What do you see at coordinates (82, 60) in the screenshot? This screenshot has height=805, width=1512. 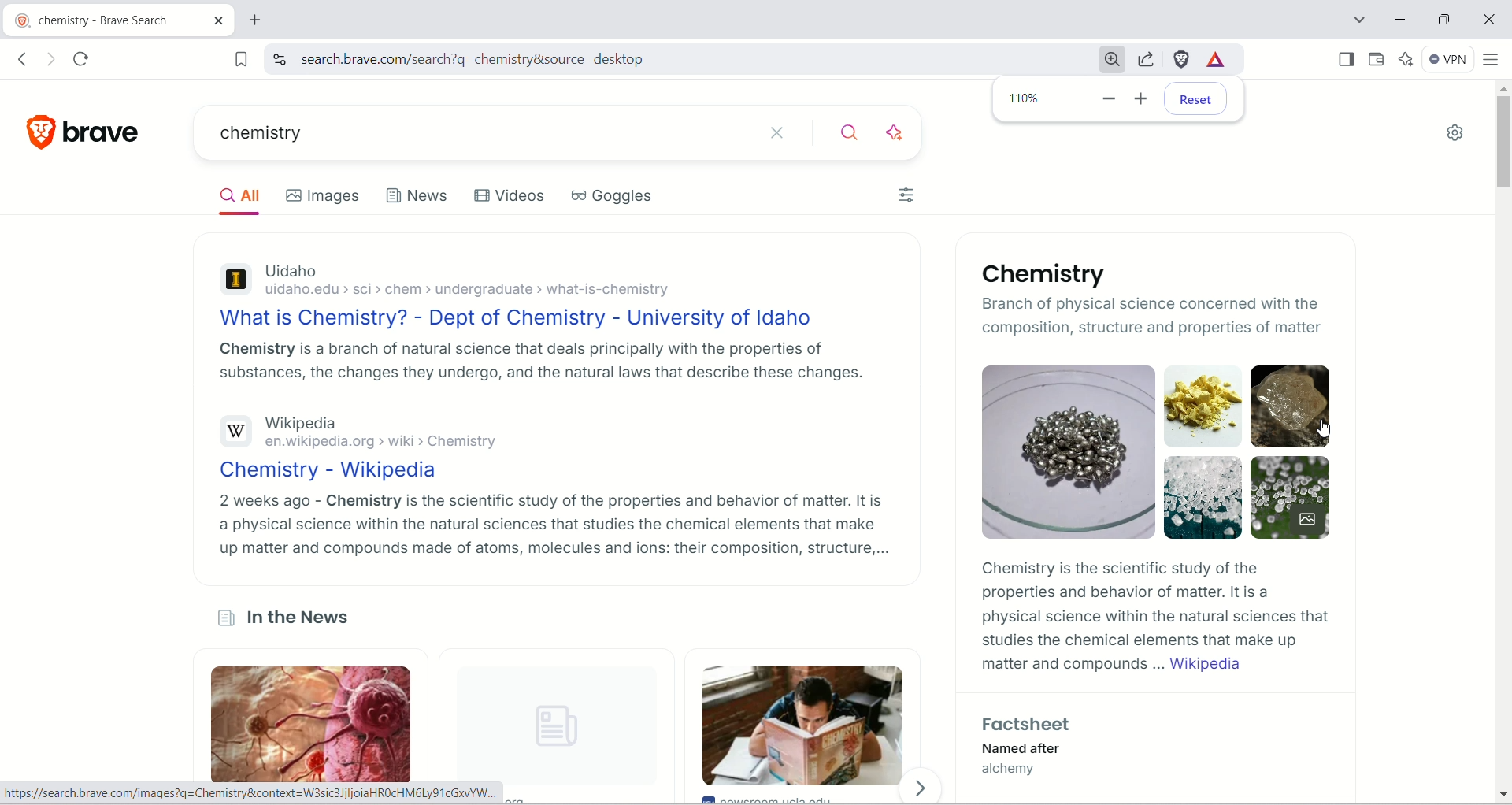 I see `reload` at bounding box center [82, 60].